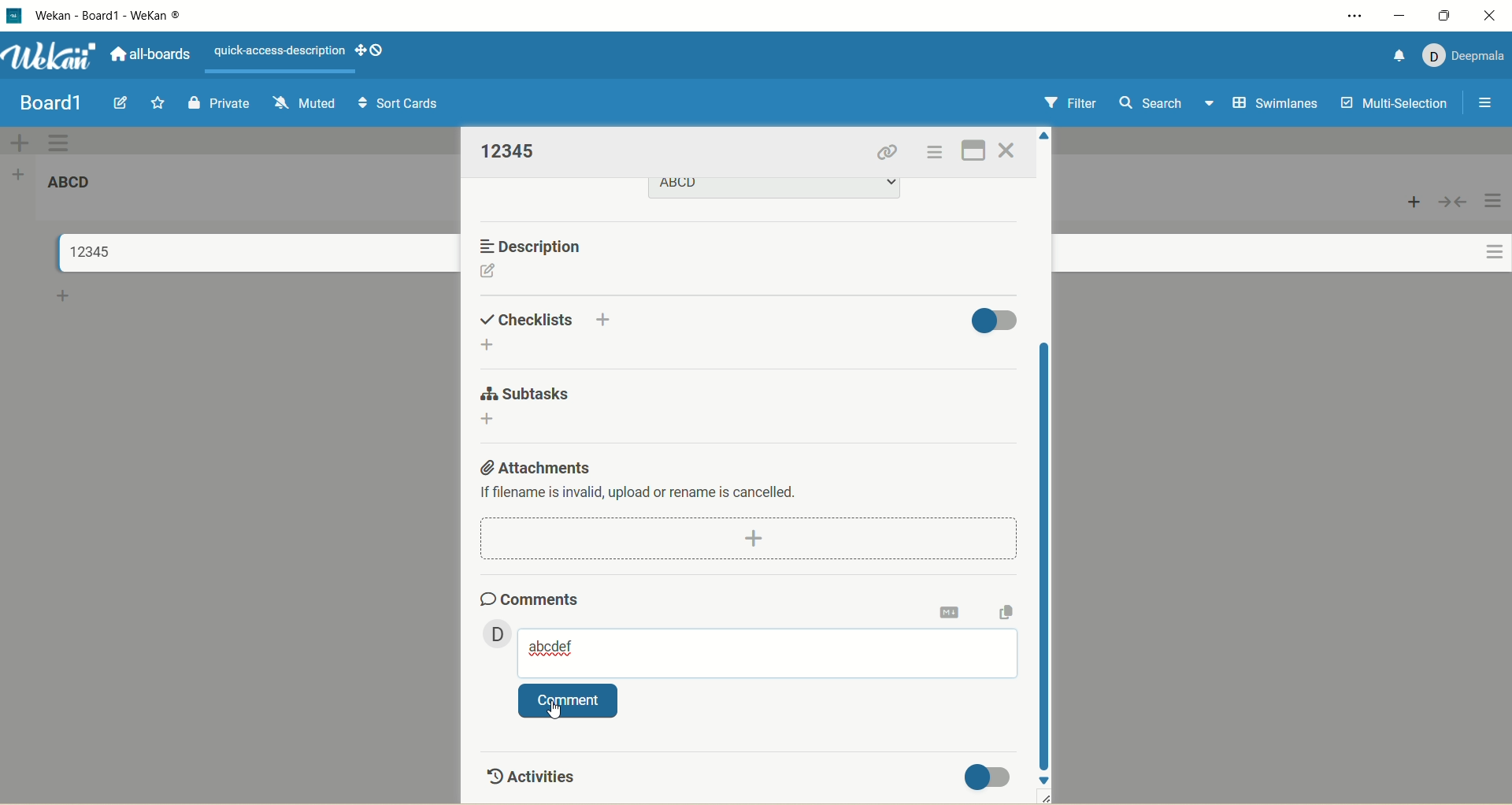 The width and height of the screenshot is (1512, 805). What do you see at coordinates (768, 653) in the screenshot?
I see `comment` at bounding box center [768, 653].